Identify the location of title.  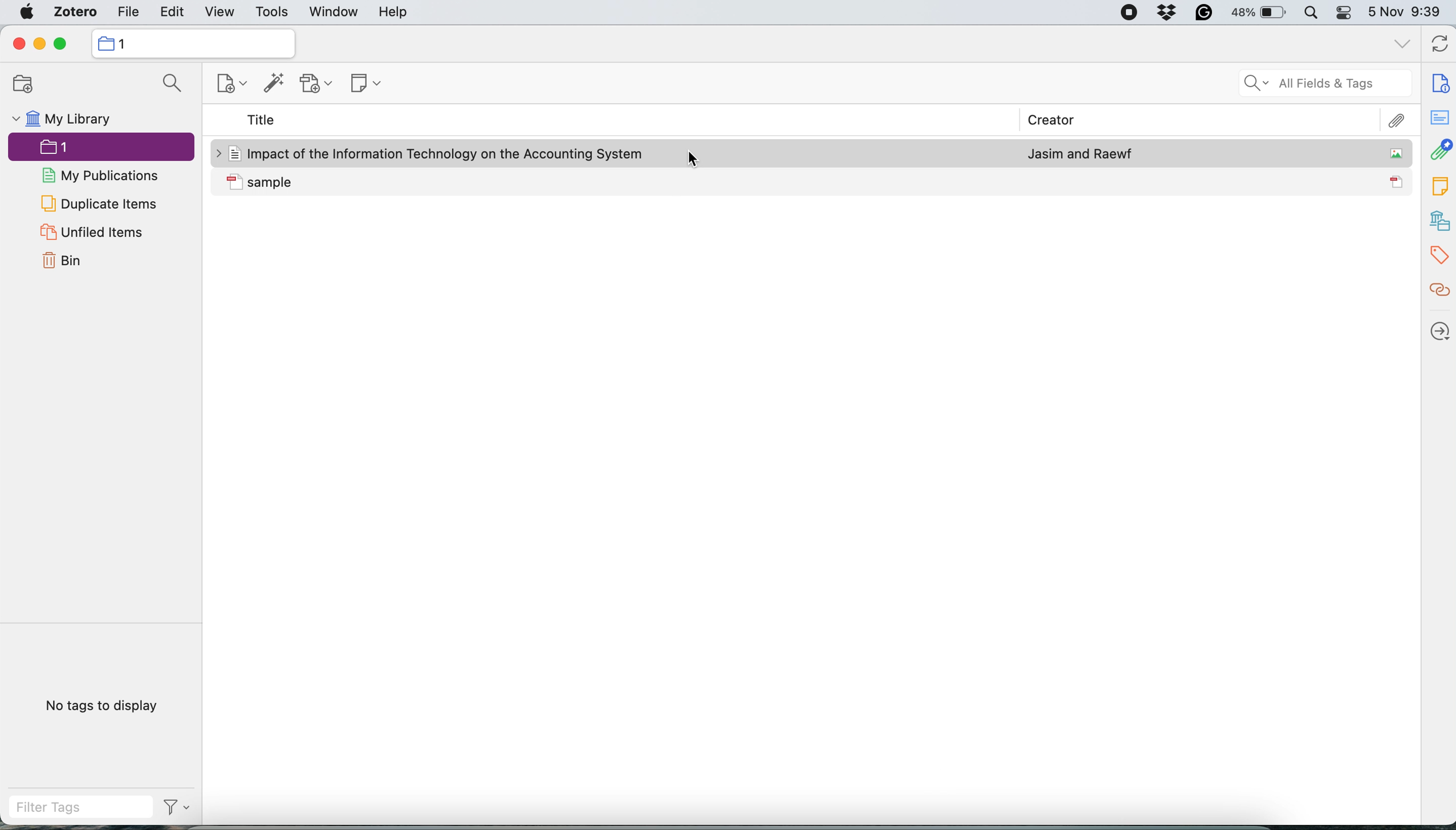
(262, 119).